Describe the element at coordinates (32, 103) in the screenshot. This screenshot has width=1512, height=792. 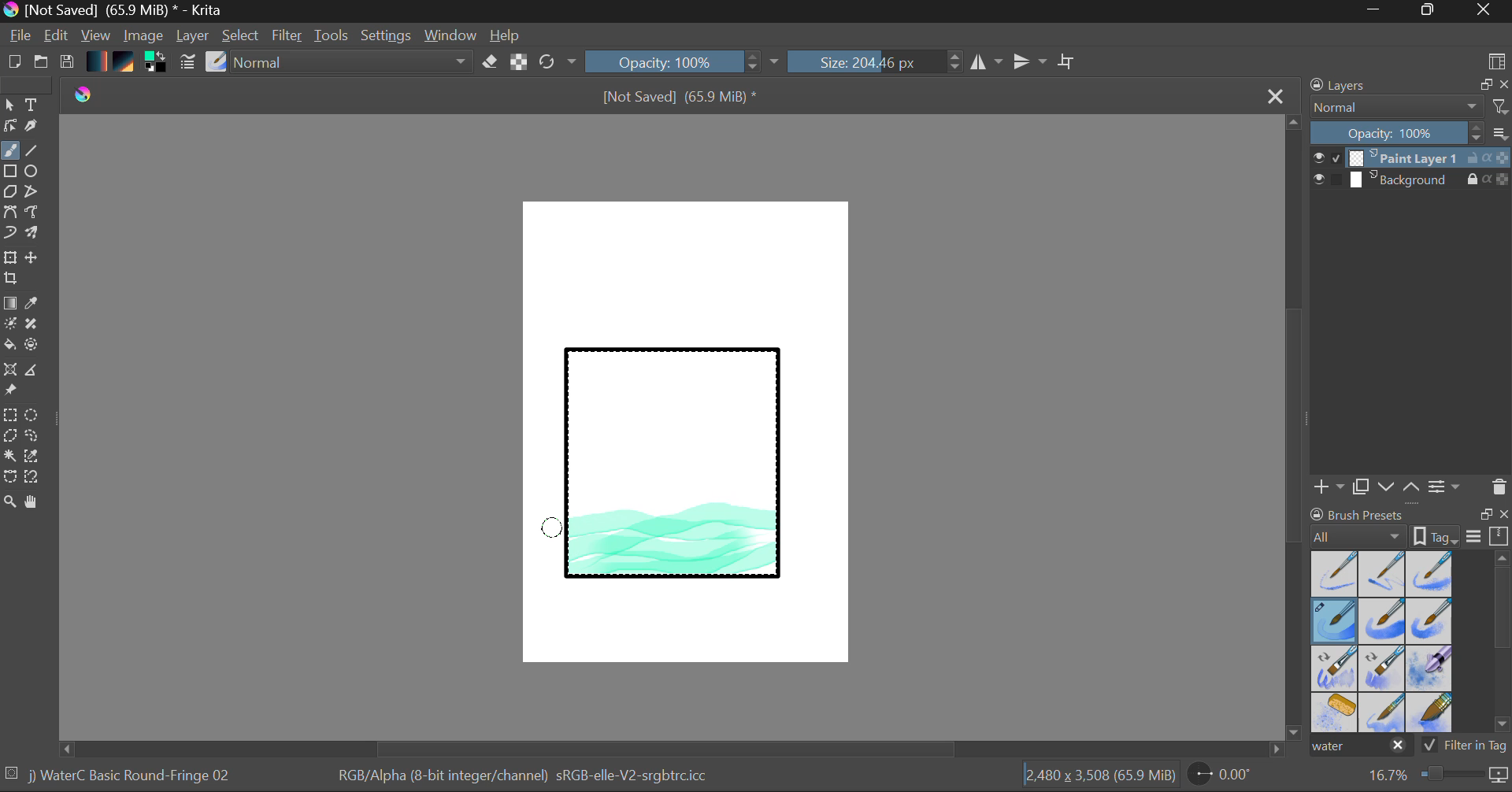
I see `Text` at that location.